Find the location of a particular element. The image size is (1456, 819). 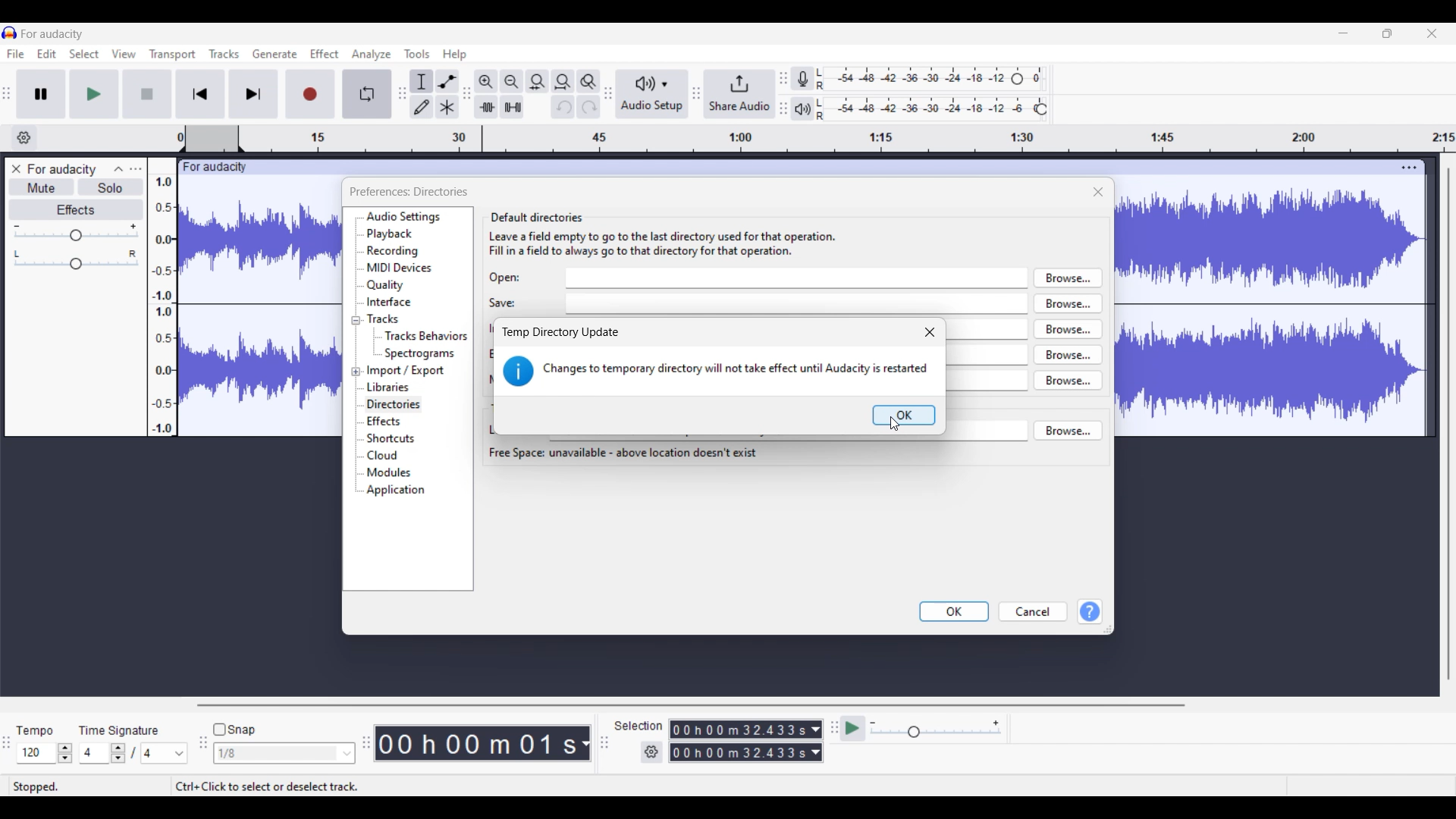

Silence audio selection is located at coordinates (512, 107).